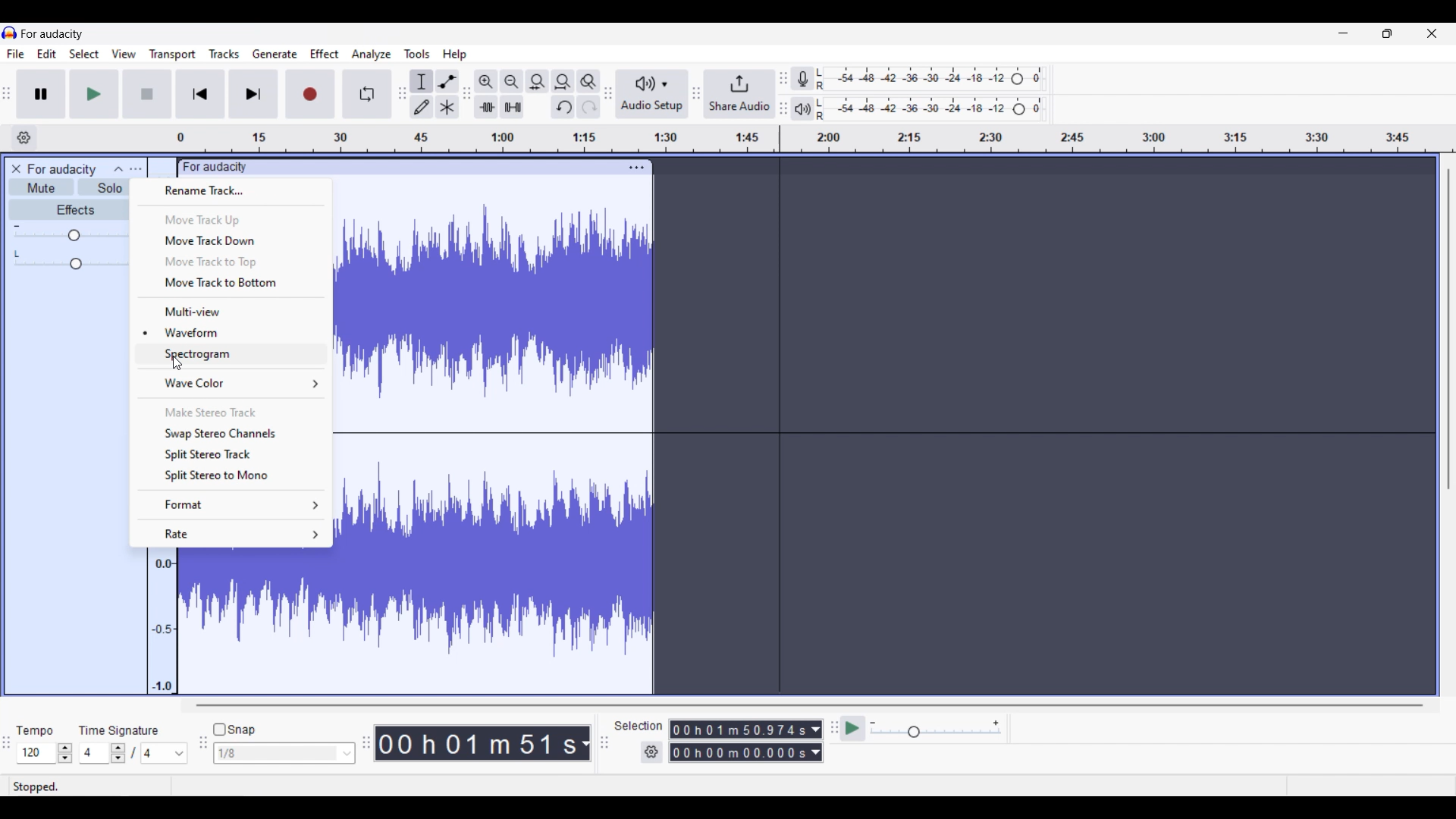 This screenshot has width=1456, height=819. What do you see at coordinates (231, 355) in the screenshot?
I see `Spectogram` at bounding box center [231, 355].